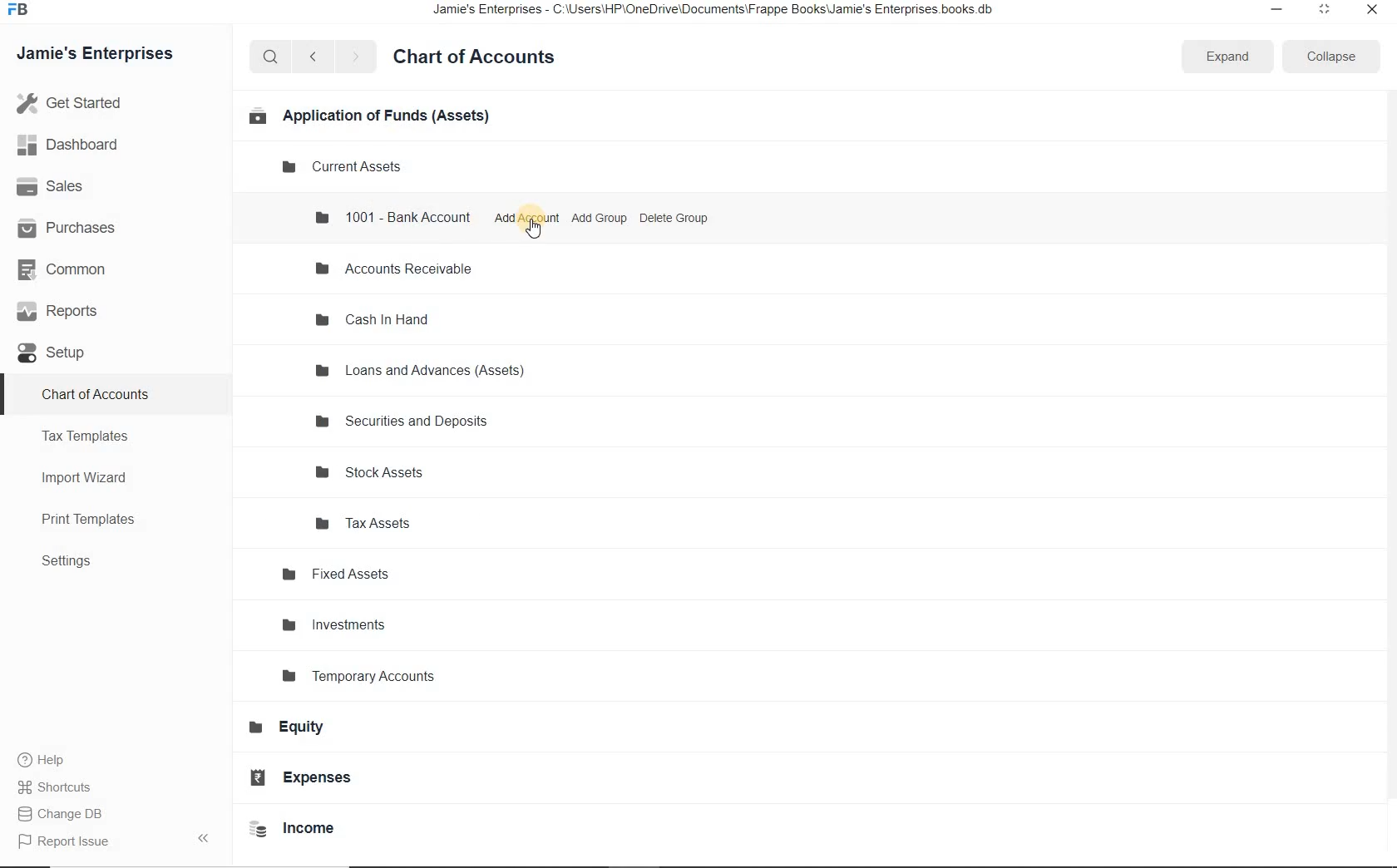  I want to click on Delete Group, so click(674, 217).